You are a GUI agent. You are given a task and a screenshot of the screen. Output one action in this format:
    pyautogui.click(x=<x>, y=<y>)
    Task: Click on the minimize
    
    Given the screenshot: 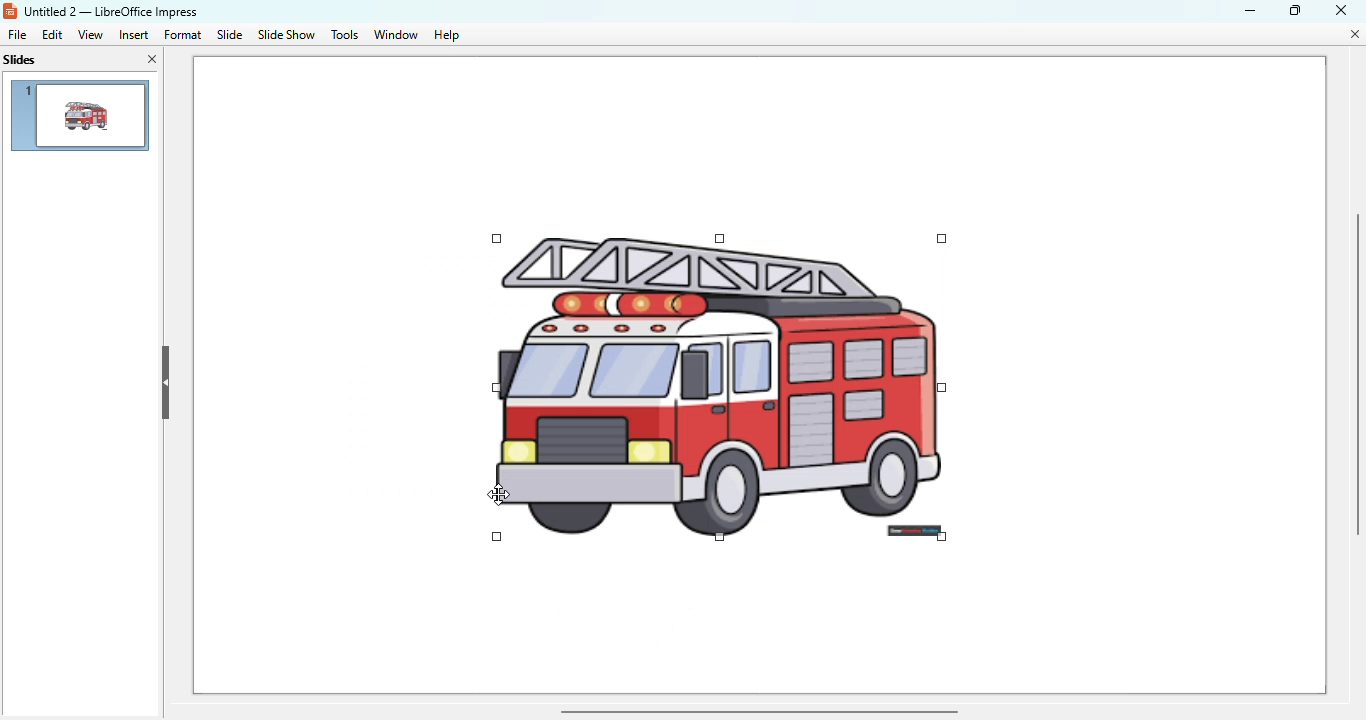 What is the action you would take?
    pyautogui.click(x=1251, y=11)
    